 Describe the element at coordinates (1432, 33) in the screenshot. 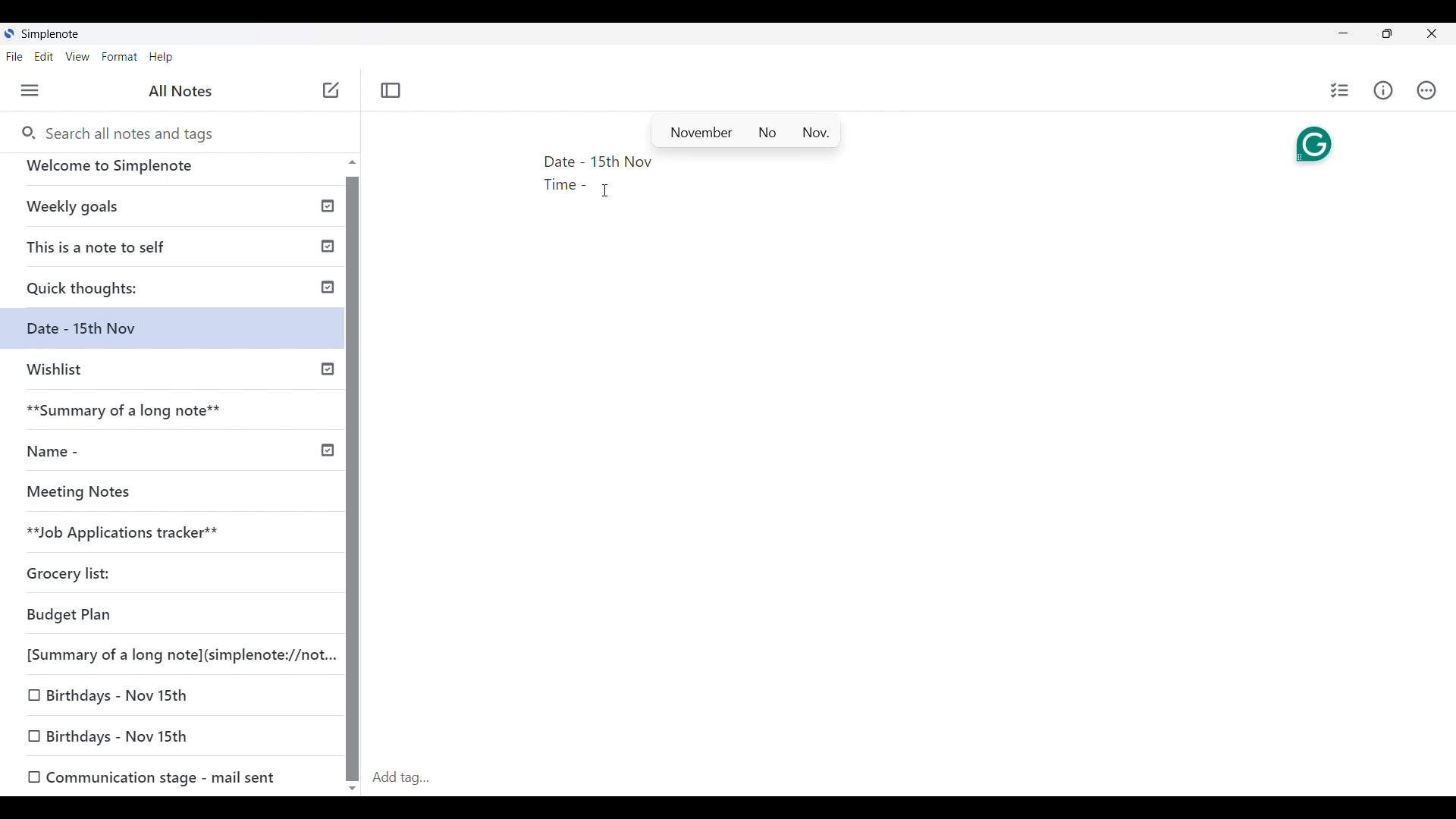

I see `Close interface` at that location.